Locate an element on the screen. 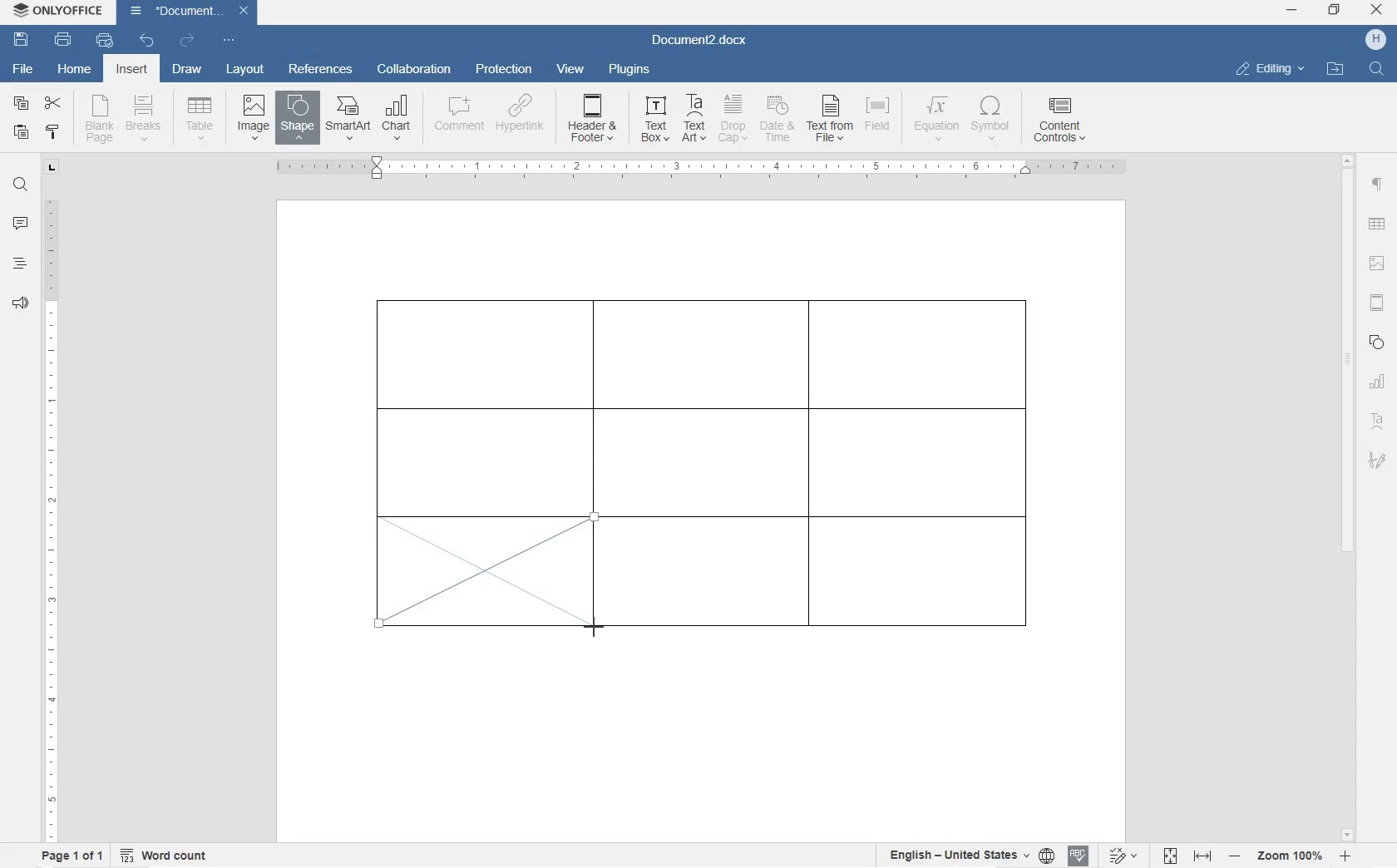  TEXT ART is located at coordinates (692, 120).